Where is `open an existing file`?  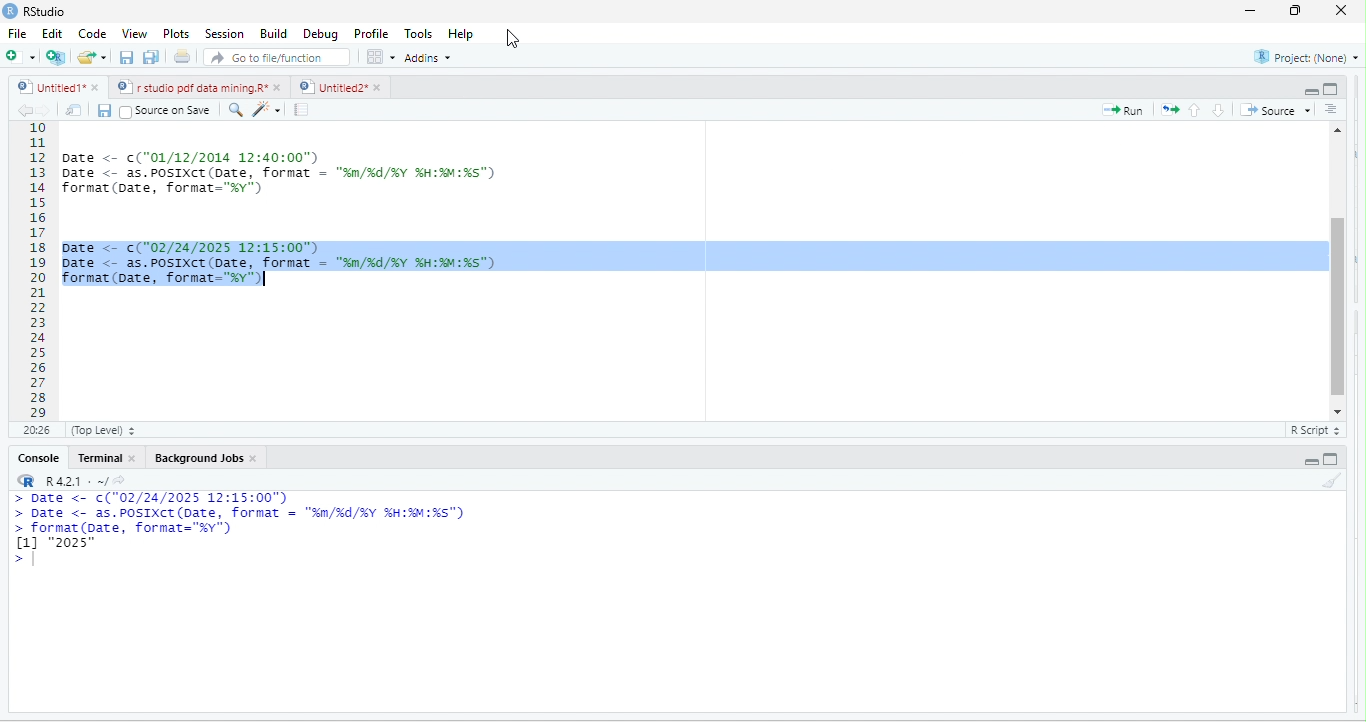 open an existing file is located at coordinates (93, 57).